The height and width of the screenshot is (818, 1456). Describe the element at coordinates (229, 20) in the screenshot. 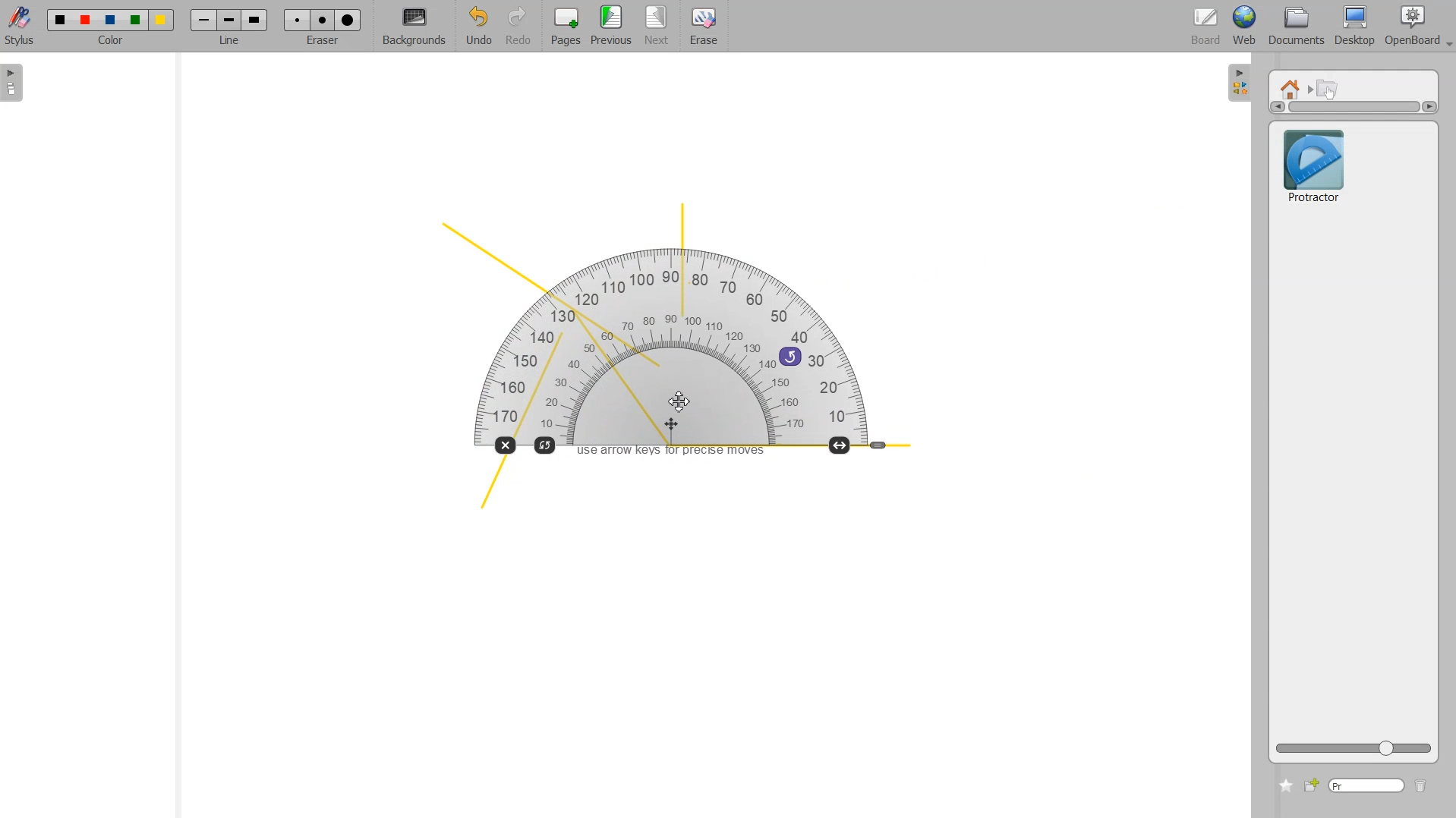

I see `Line` at that location.